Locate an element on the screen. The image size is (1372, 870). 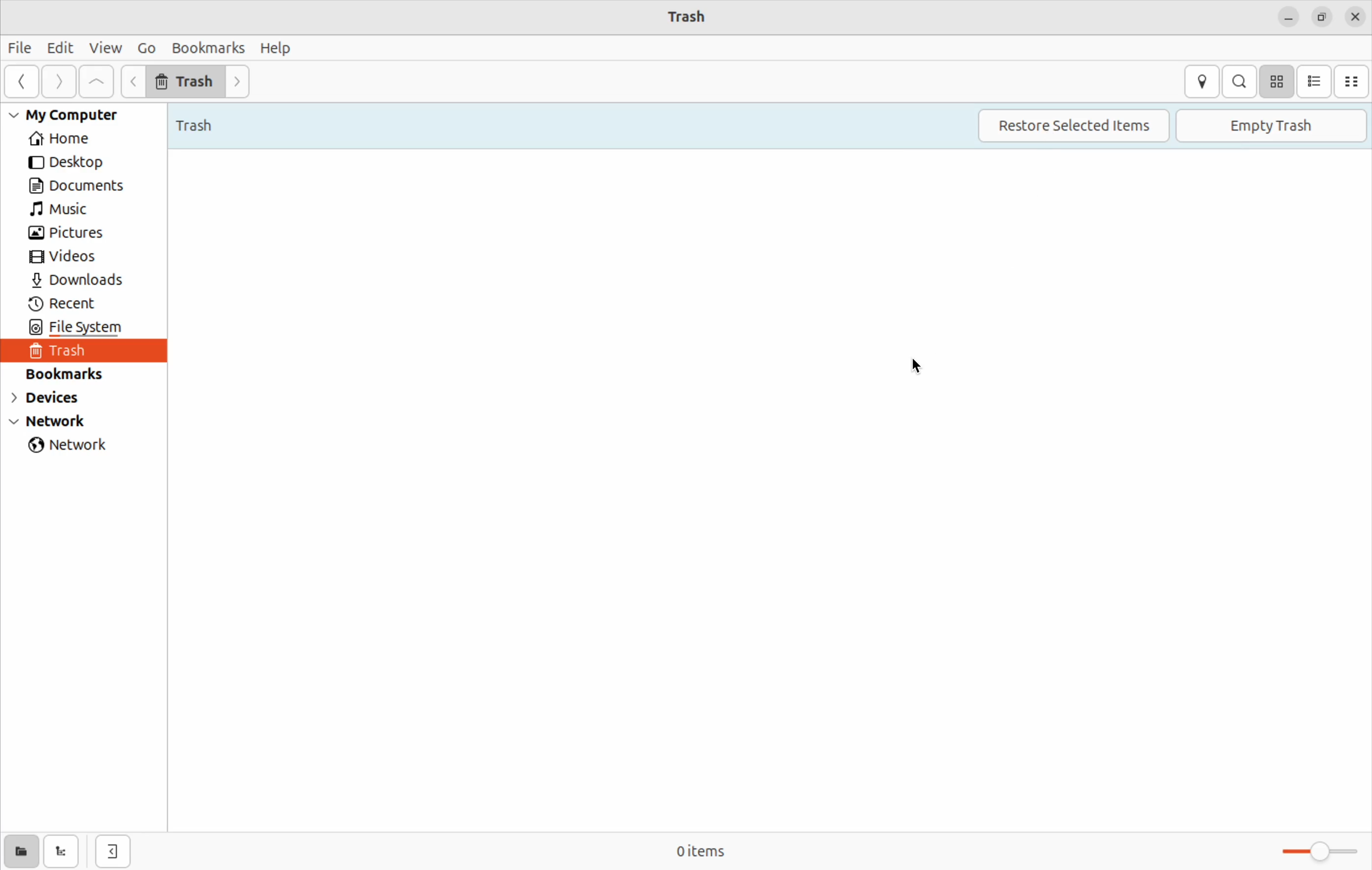
help is located at coordinates (276, 47).